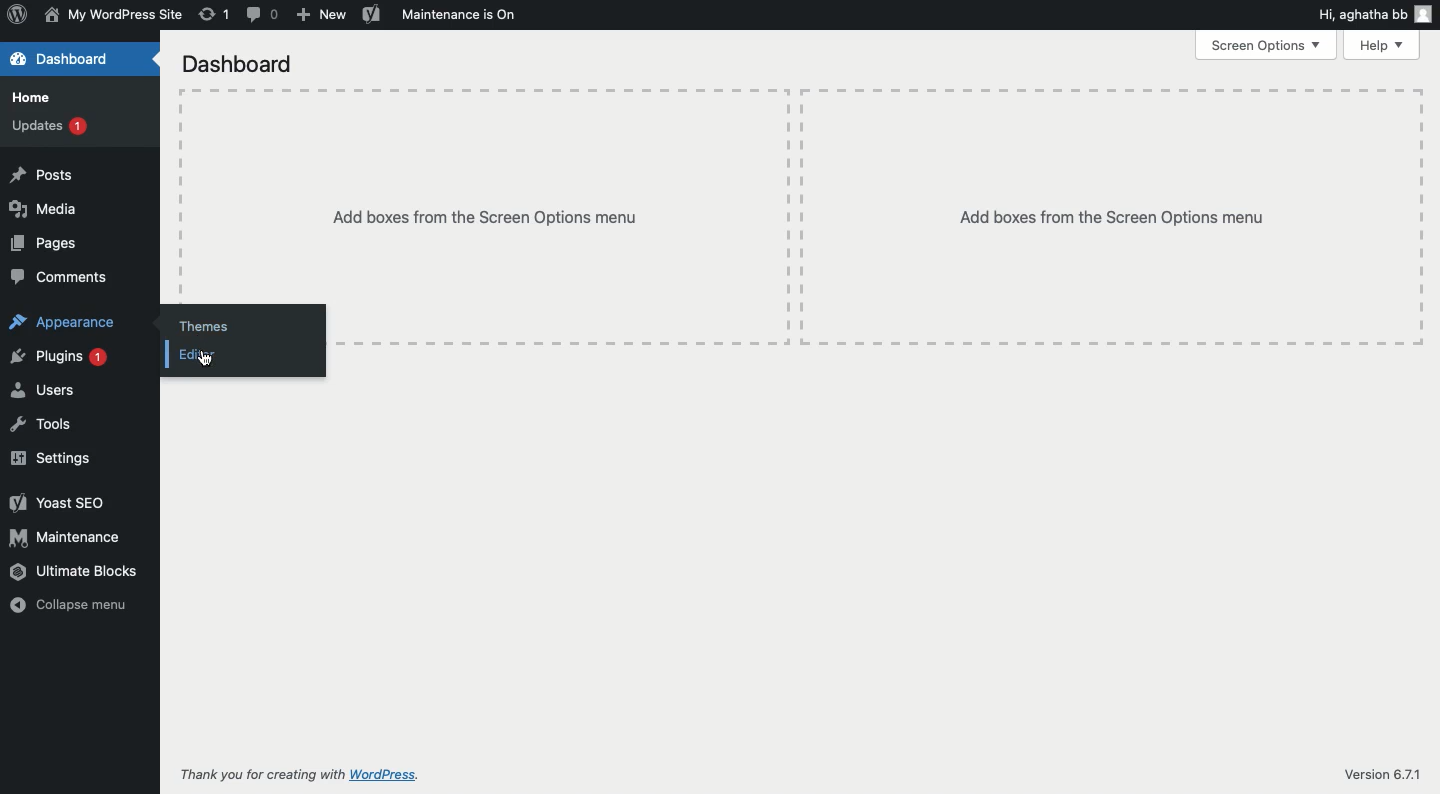 The image size is (1440, 794). What do you see at coordinates (42, 245) in the screenshot?
I see `Pages` at bounding box center [42, 245].